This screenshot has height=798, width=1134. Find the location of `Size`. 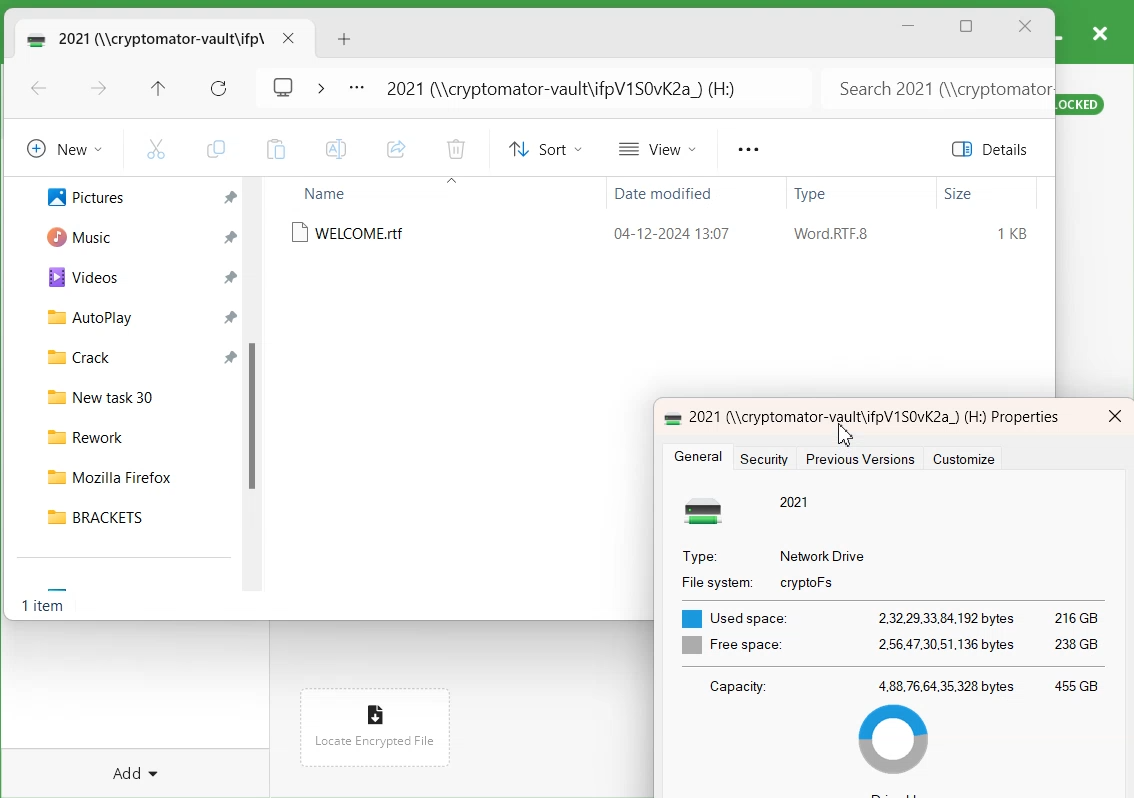

Size is located at coordinates (959, 194).